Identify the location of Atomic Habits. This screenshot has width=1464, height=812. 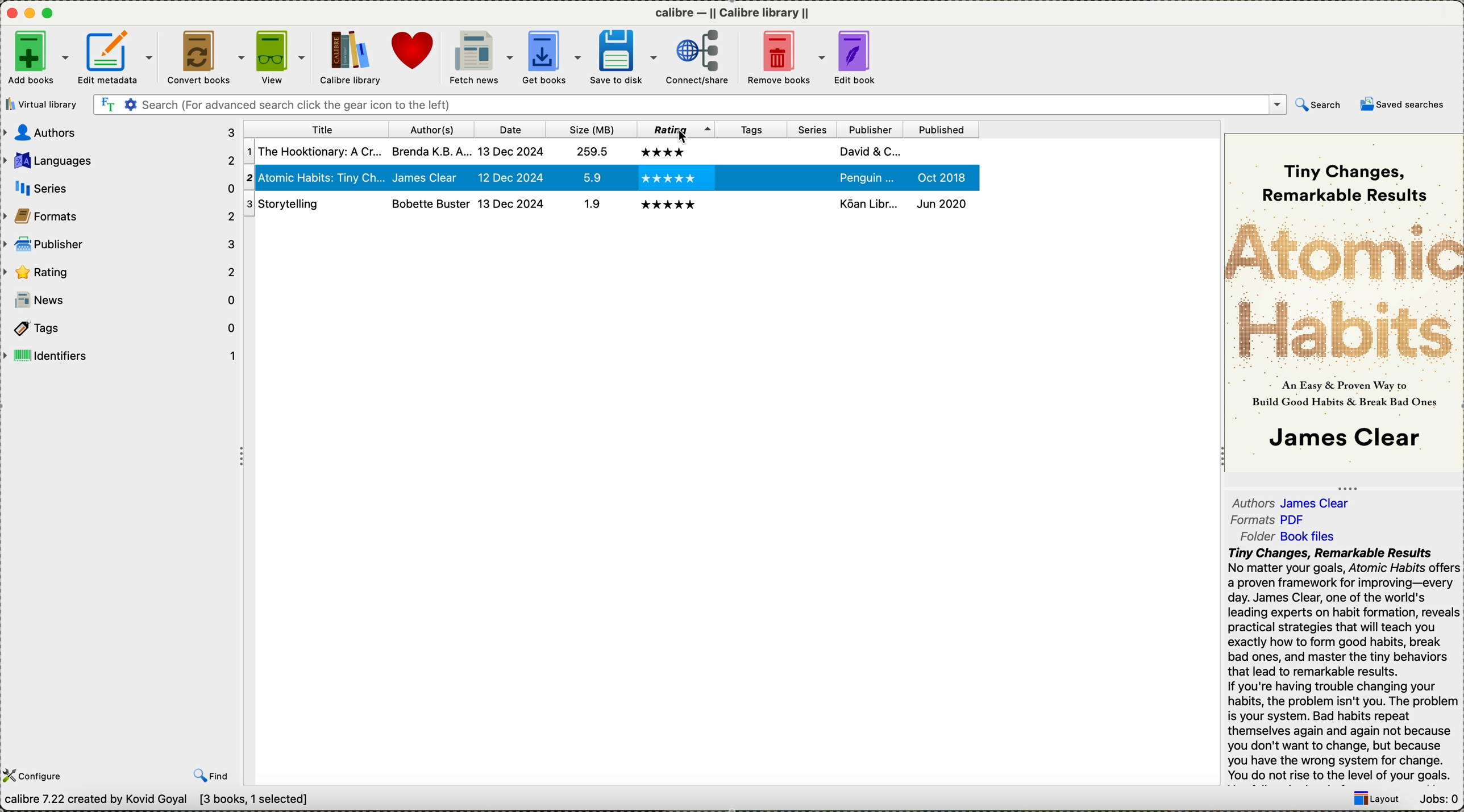
(1343, 287).